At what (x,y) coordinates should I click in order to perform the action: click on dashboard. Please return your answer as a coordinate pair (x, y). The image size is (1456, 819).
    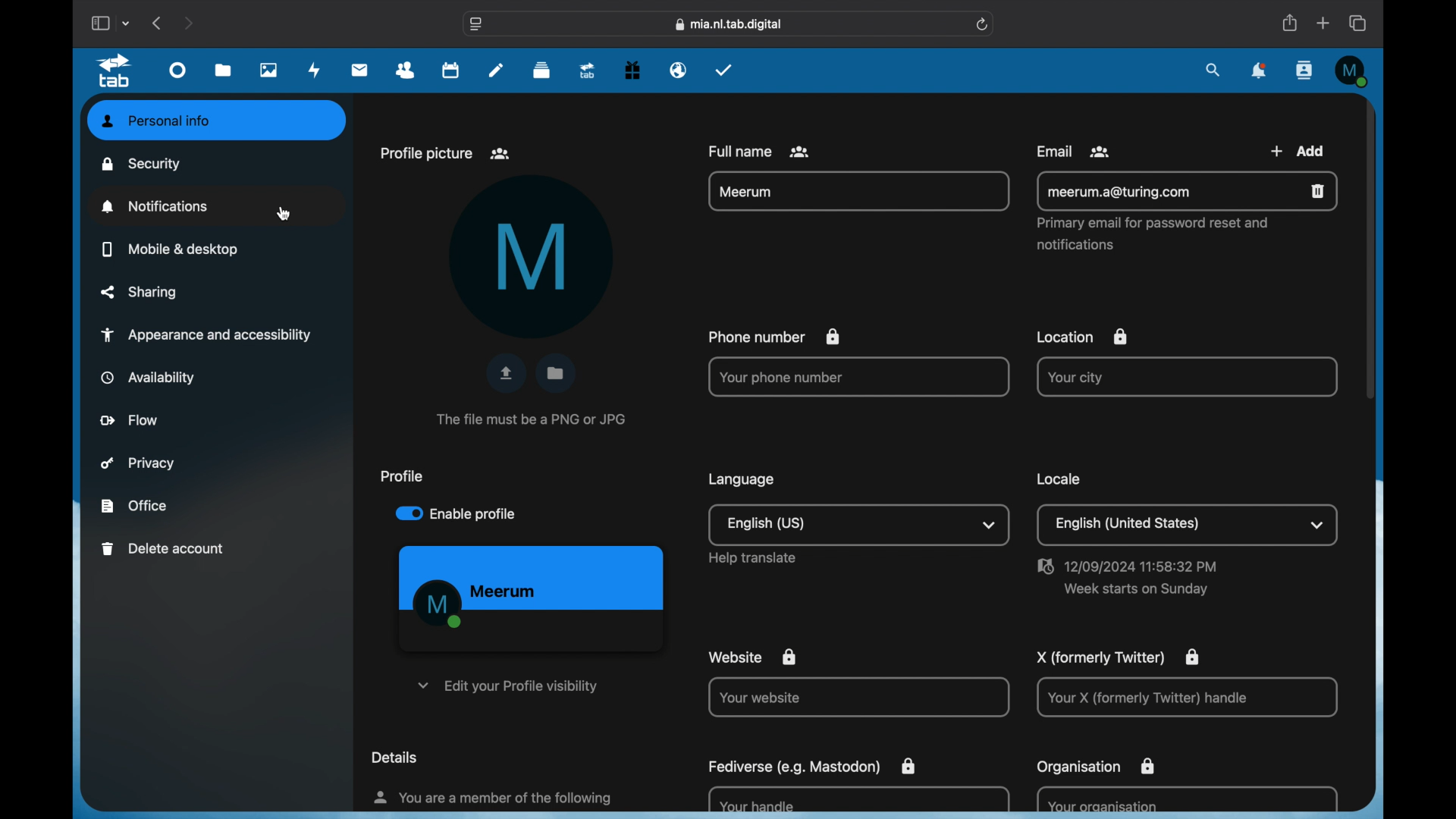
    Looking at the image, I should click on (178, 74).